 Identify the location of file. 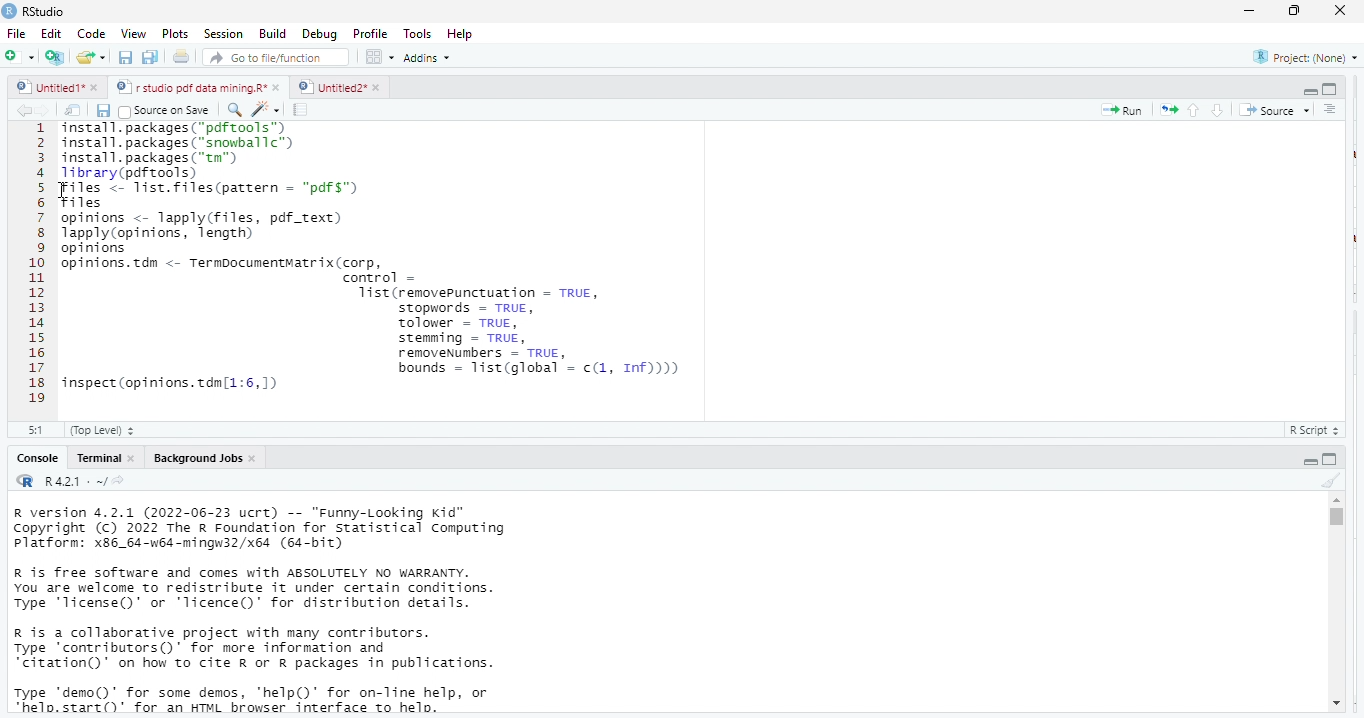
(18, 33).